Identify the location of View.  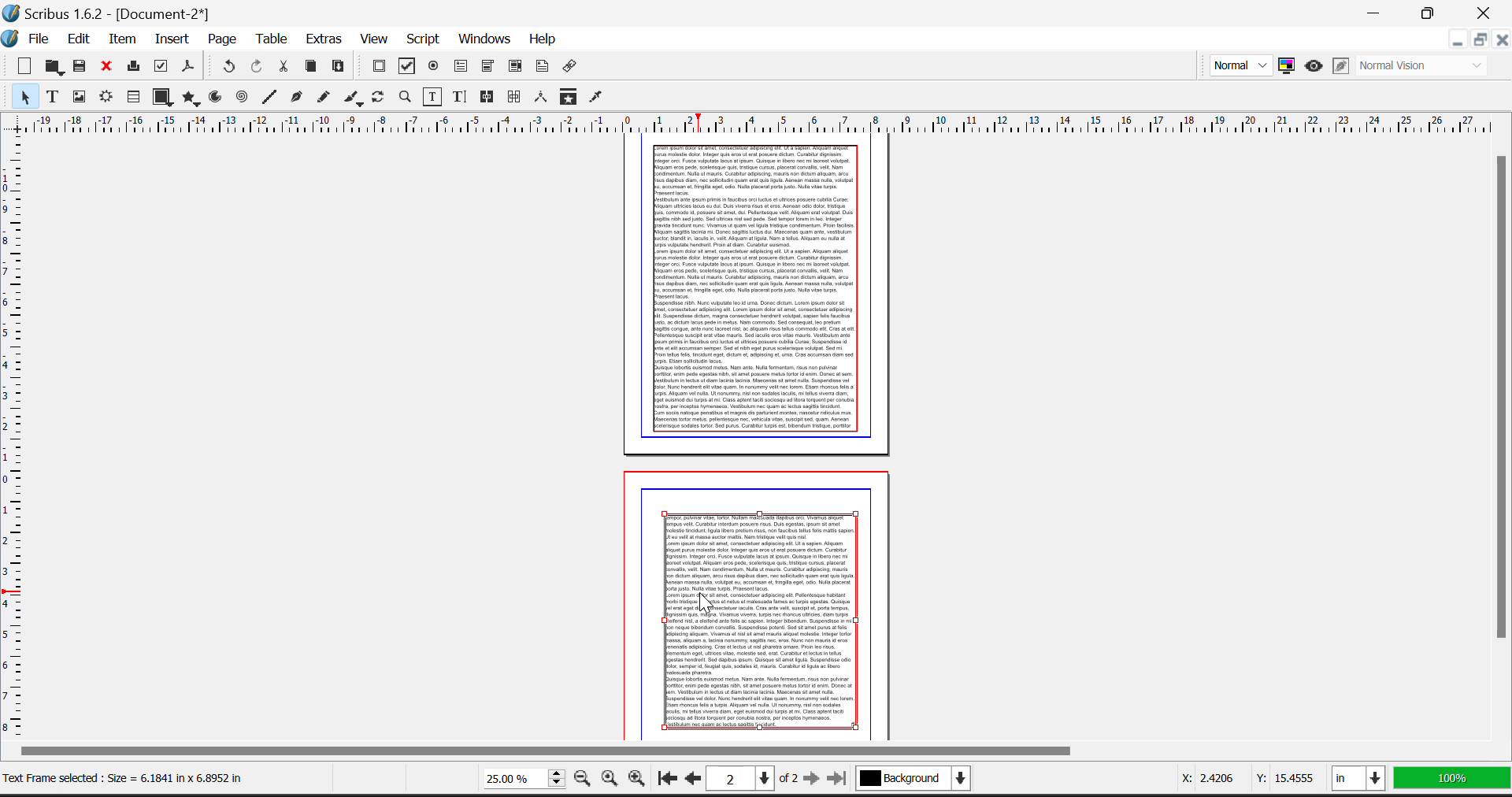
(374, 40).